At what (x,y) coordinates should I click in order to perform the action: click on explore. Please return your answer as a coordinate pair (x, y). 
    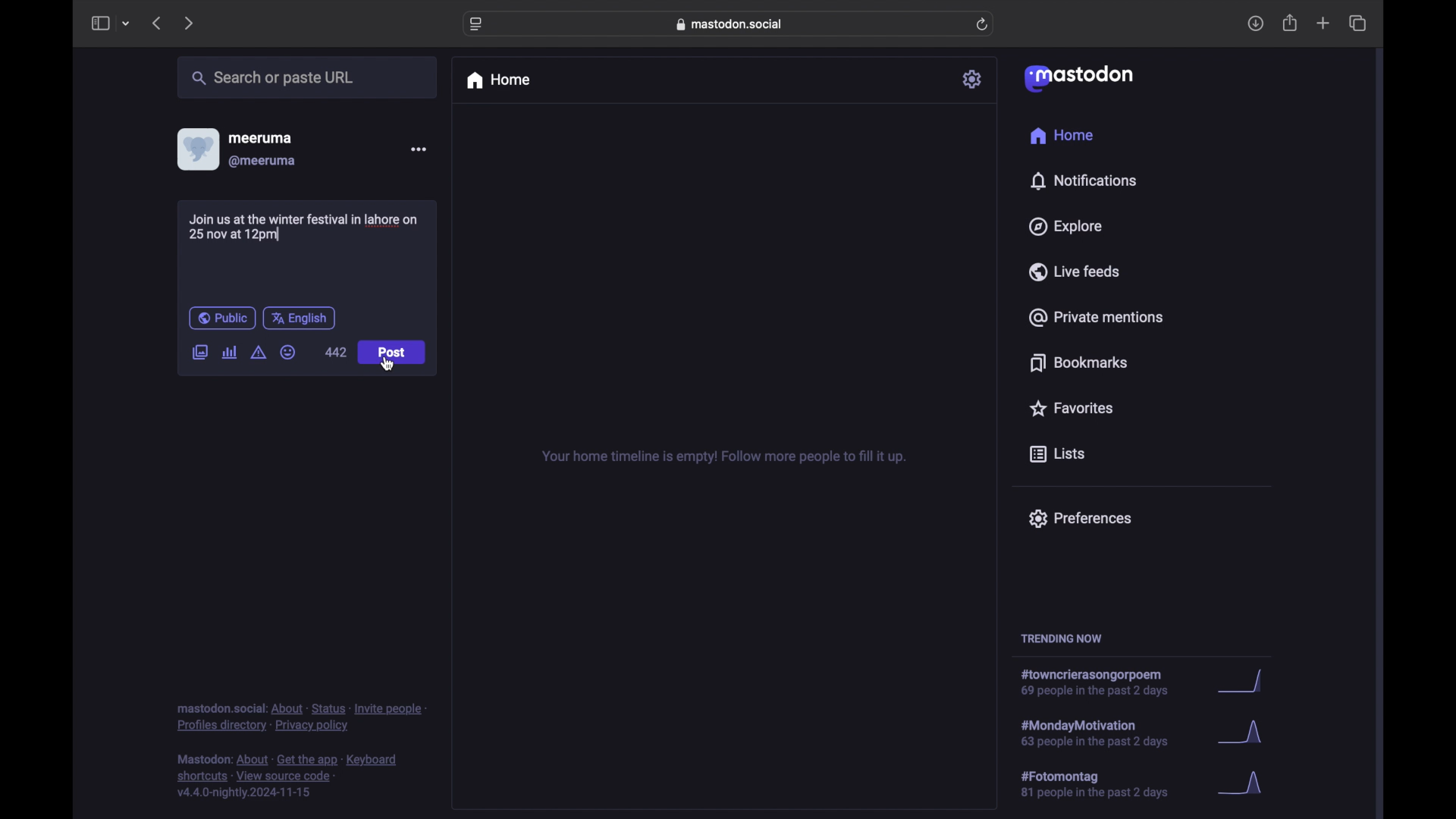
    Looking at the image, I should click on (1064, 227).